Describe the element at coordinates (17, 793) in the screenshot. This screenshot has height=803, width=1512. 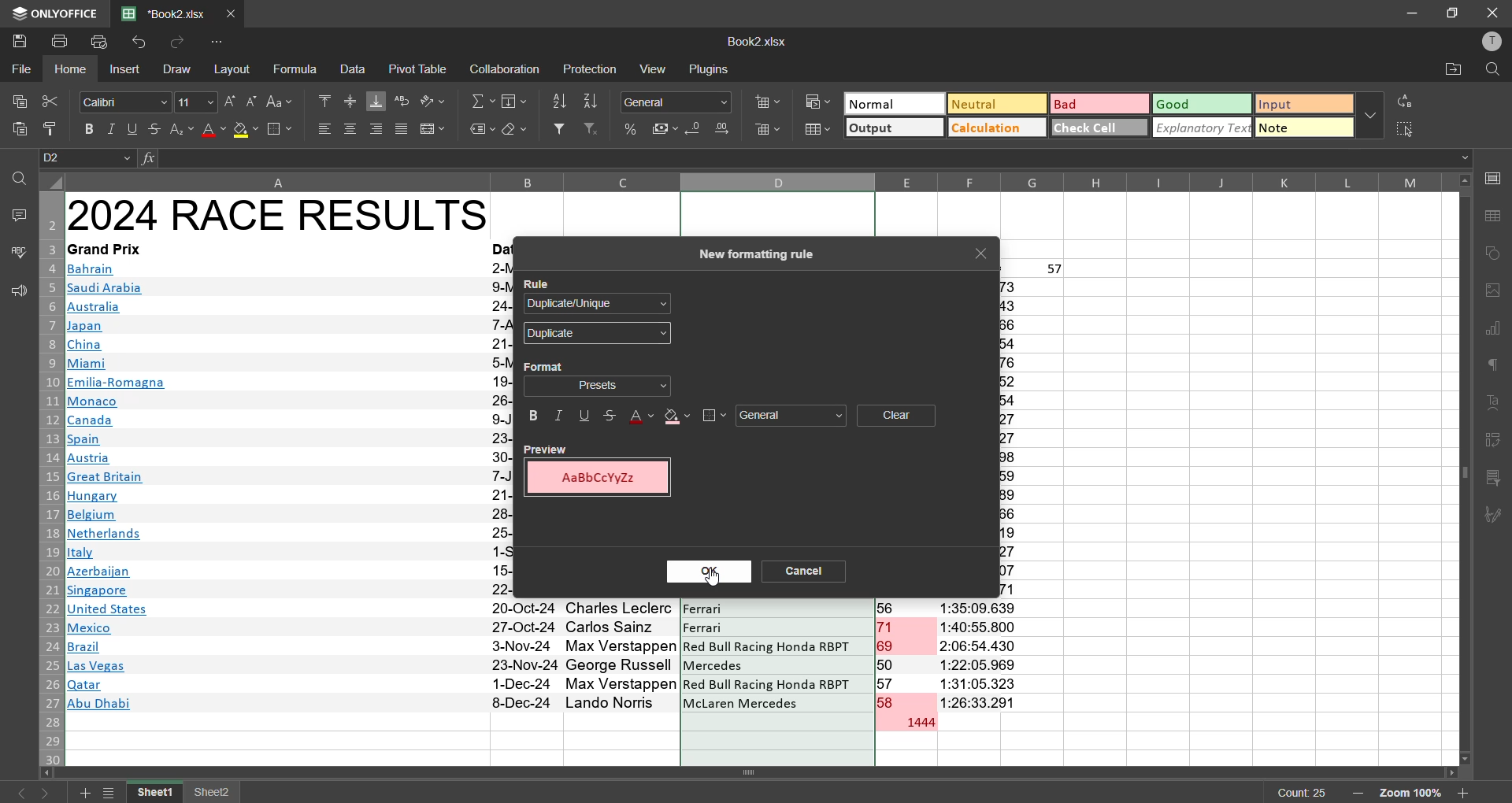
I see `previous` at that location.